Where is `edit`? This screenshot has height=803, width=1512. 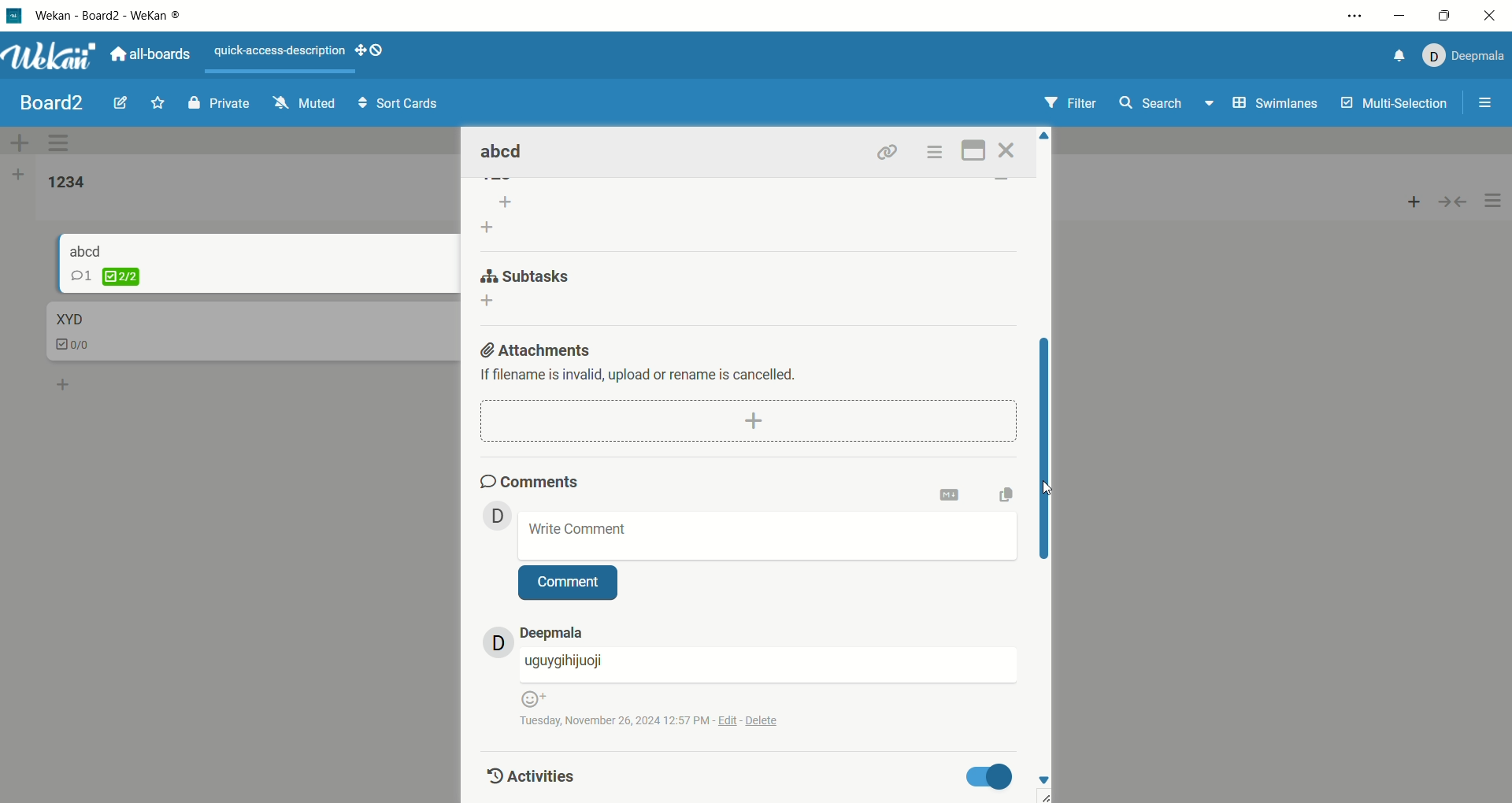 edit is located at coordinates (120, 101).